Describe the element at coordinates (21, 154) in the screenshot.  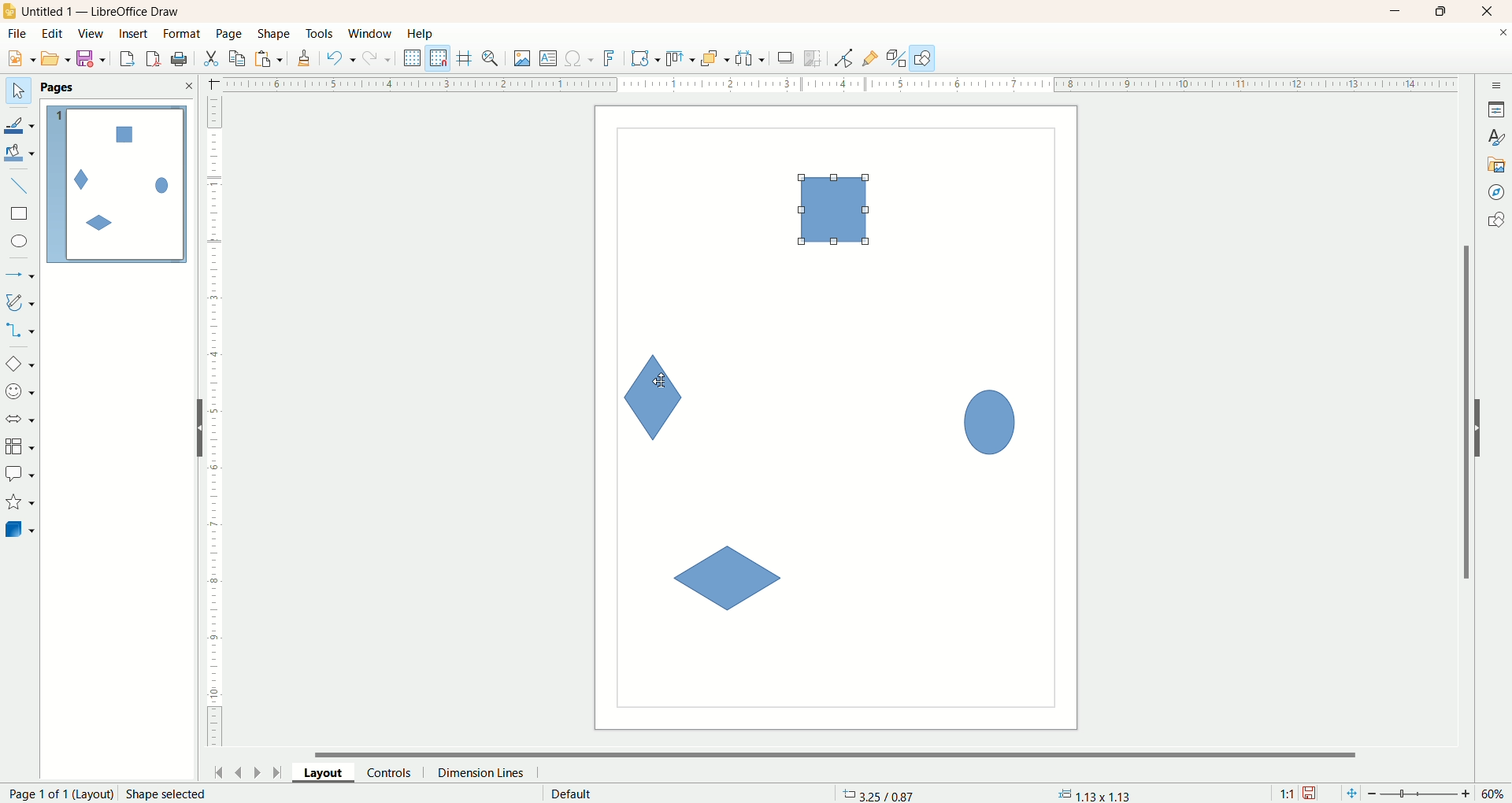
I see `fill color` at that location.